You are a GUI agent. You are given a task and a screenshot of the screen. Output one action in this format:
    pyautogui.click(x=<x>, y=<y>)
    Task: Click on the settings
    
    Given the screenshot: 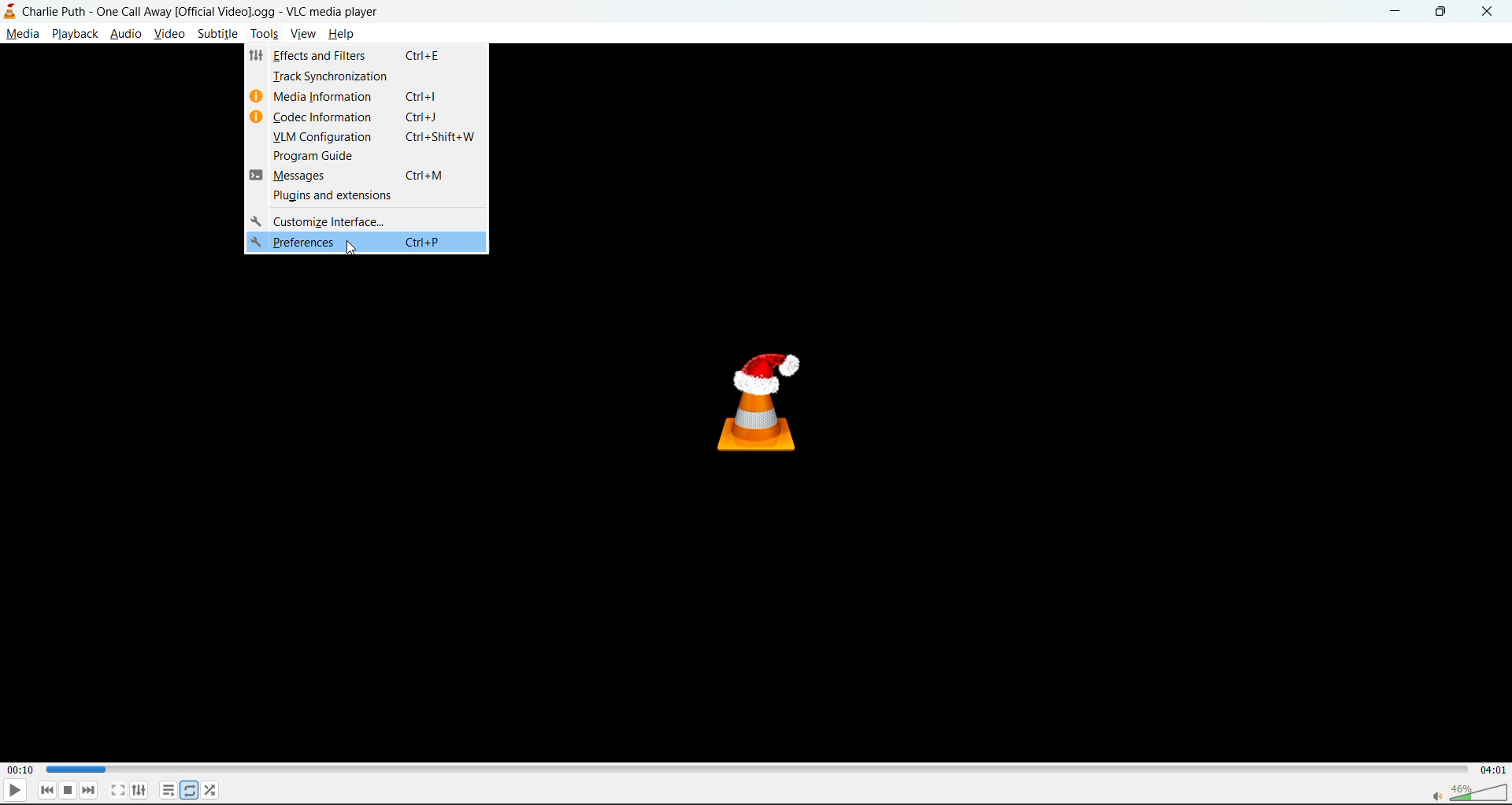 What is the action you would take?
    pyautogui.click(x=141, y=788)
    